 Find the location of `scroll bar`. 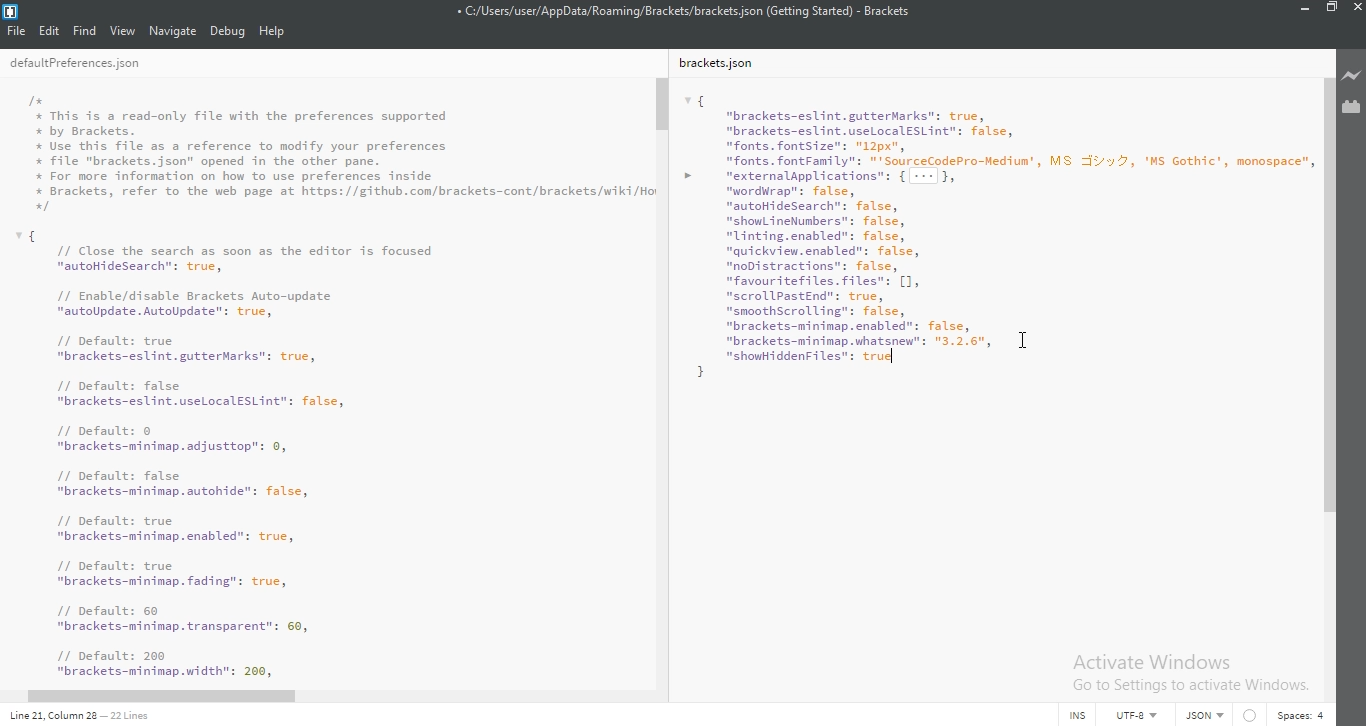

scroll bar is located at coordinates (663, 104).